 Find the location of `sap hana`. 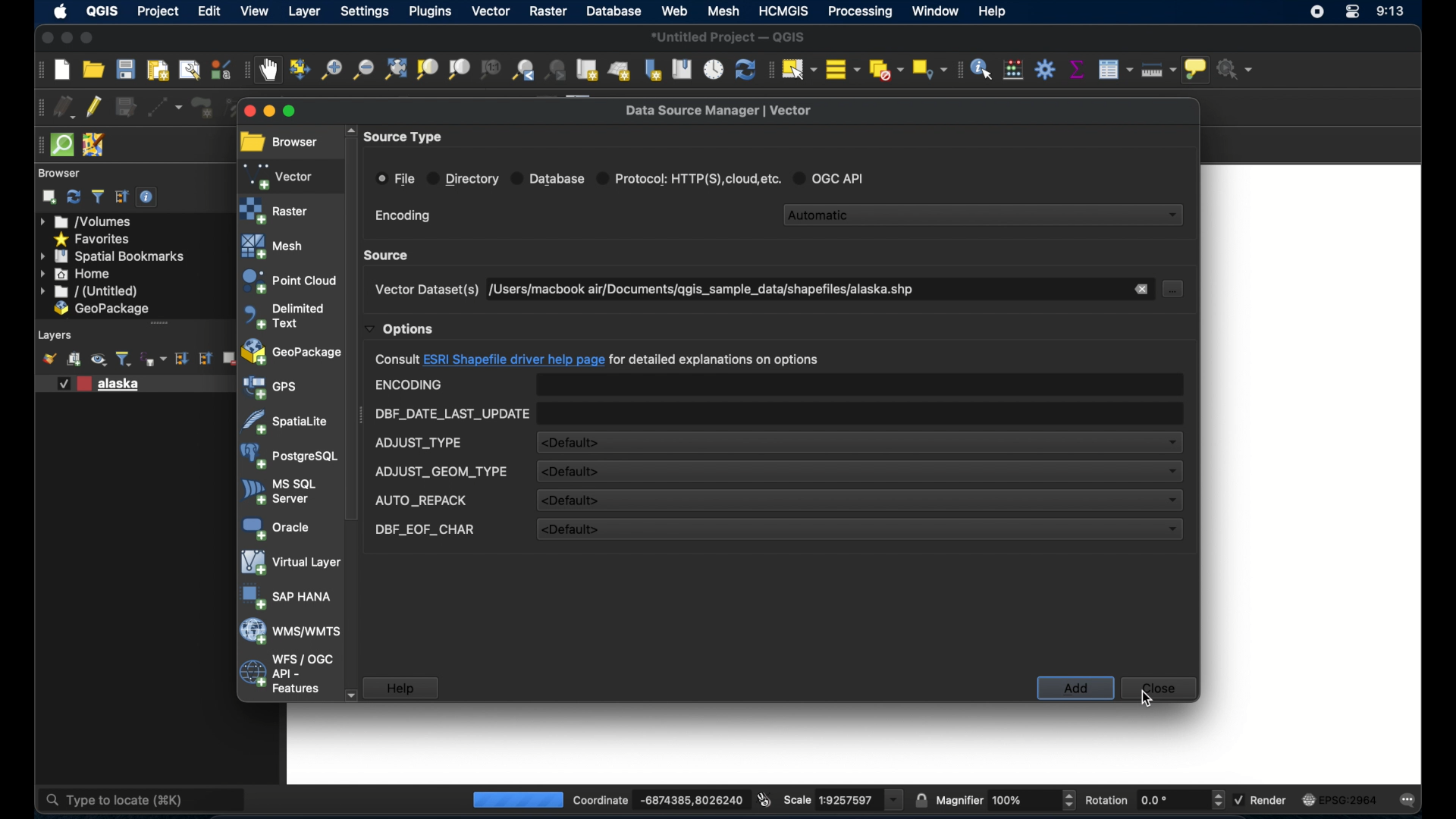

sap hana is located at coordinates (287, 598).